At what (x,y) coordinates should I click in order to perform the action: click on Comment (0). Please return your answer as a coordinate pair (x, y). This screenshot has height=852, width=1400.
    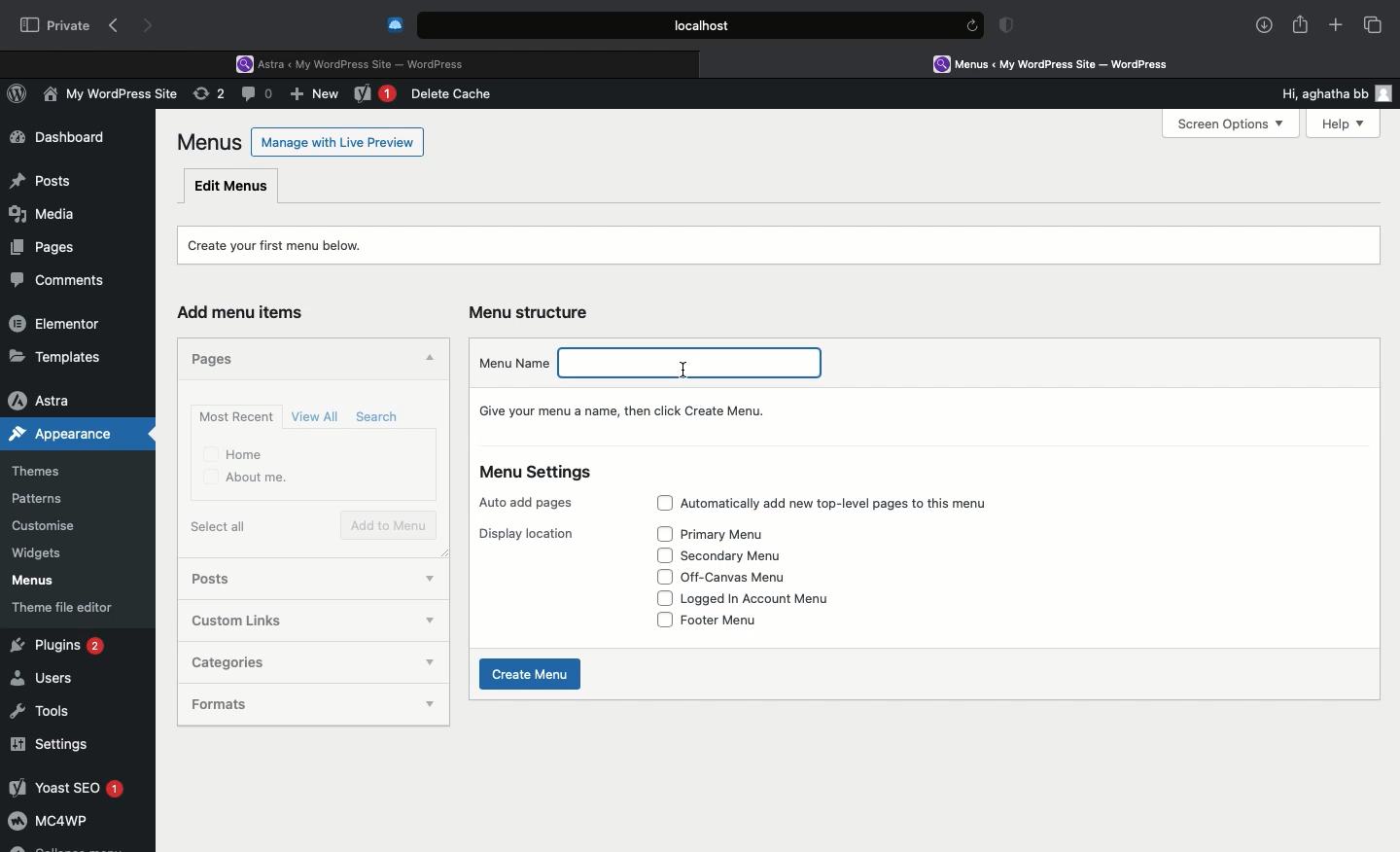
    Looking at the image, I should click on (260, 93).